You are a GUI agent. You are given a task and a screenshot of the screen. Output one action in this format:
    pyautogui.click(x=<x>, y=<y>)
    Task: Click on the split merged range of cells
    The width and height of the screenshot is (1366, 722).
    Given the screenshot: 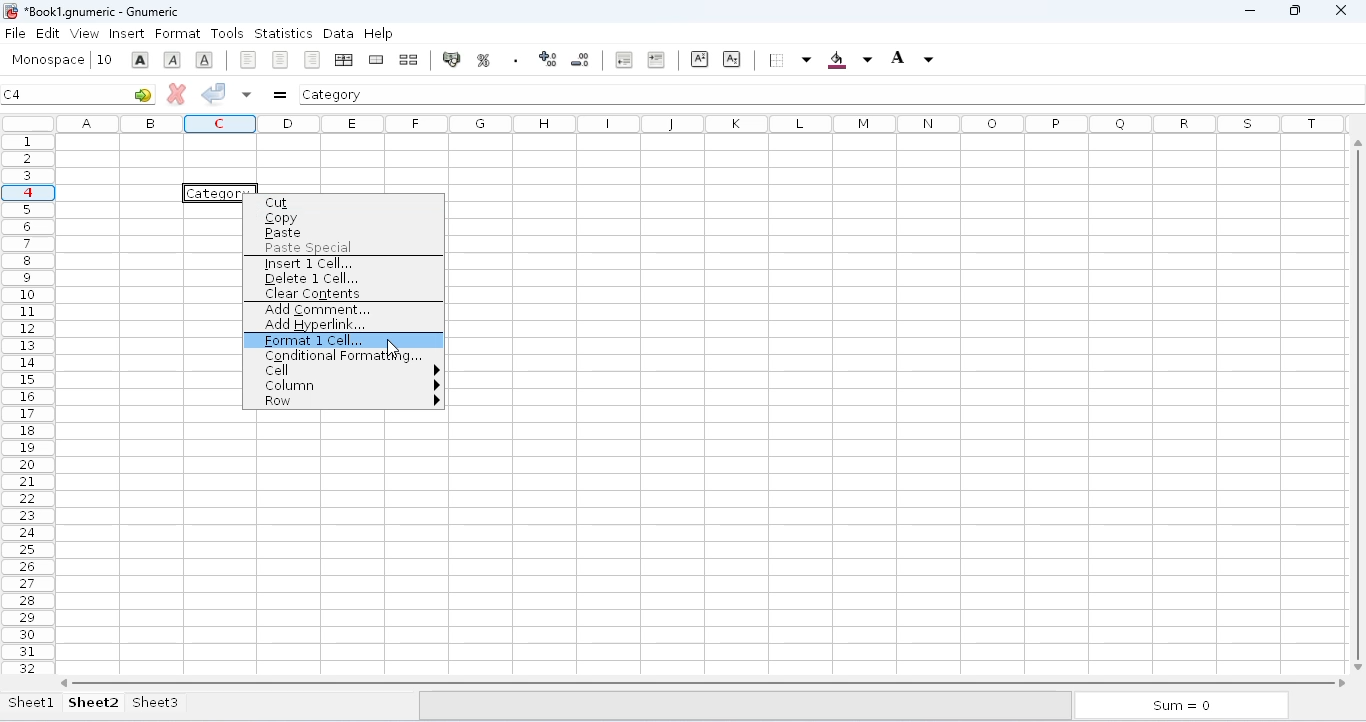 What is the action you would take?
    pyautogui.click(x=409, y=59)
    